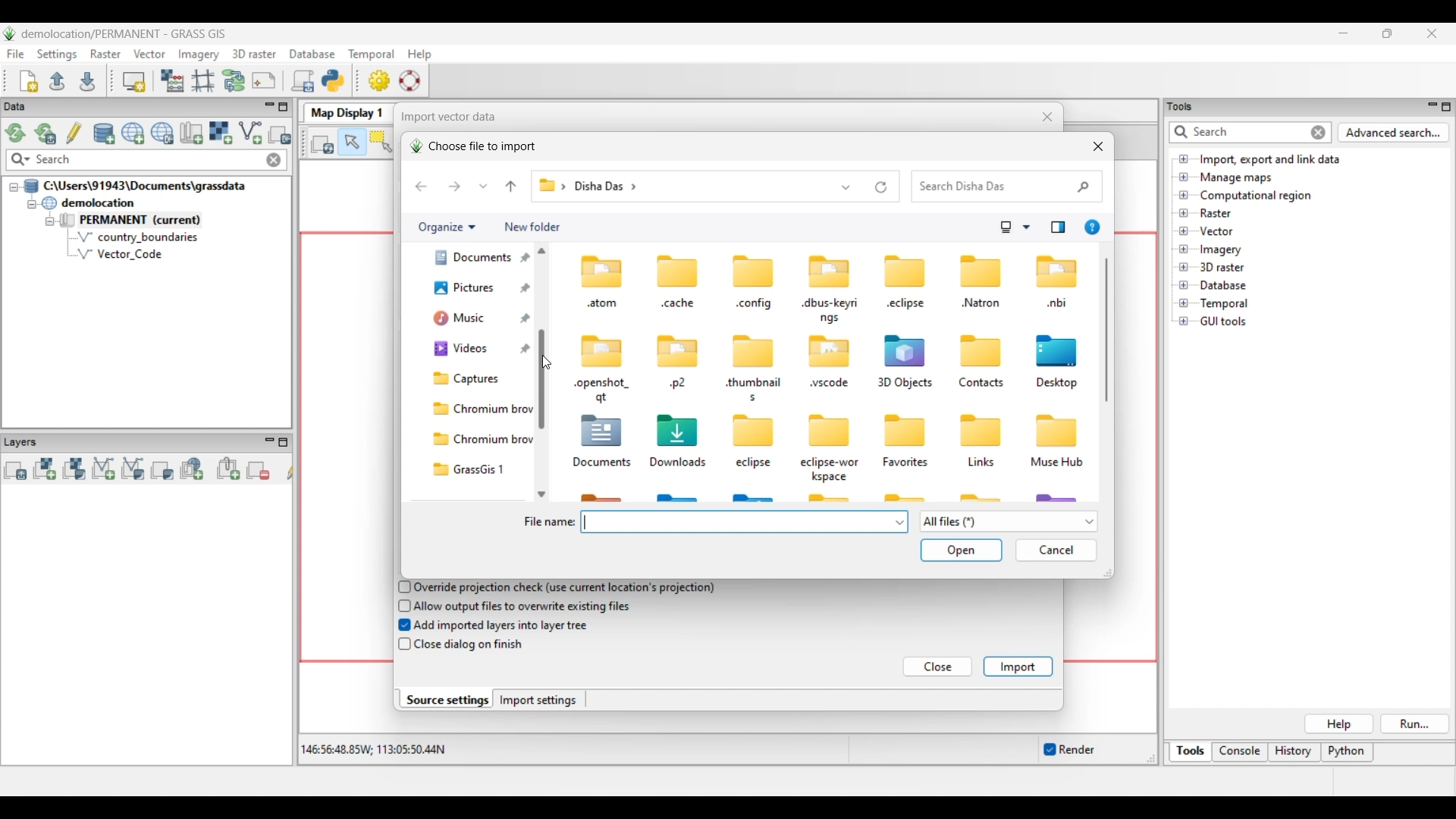 The width and height of the screenshot is (1456, 819). I want to click on Quick slide to bottom, so click(541, 494).